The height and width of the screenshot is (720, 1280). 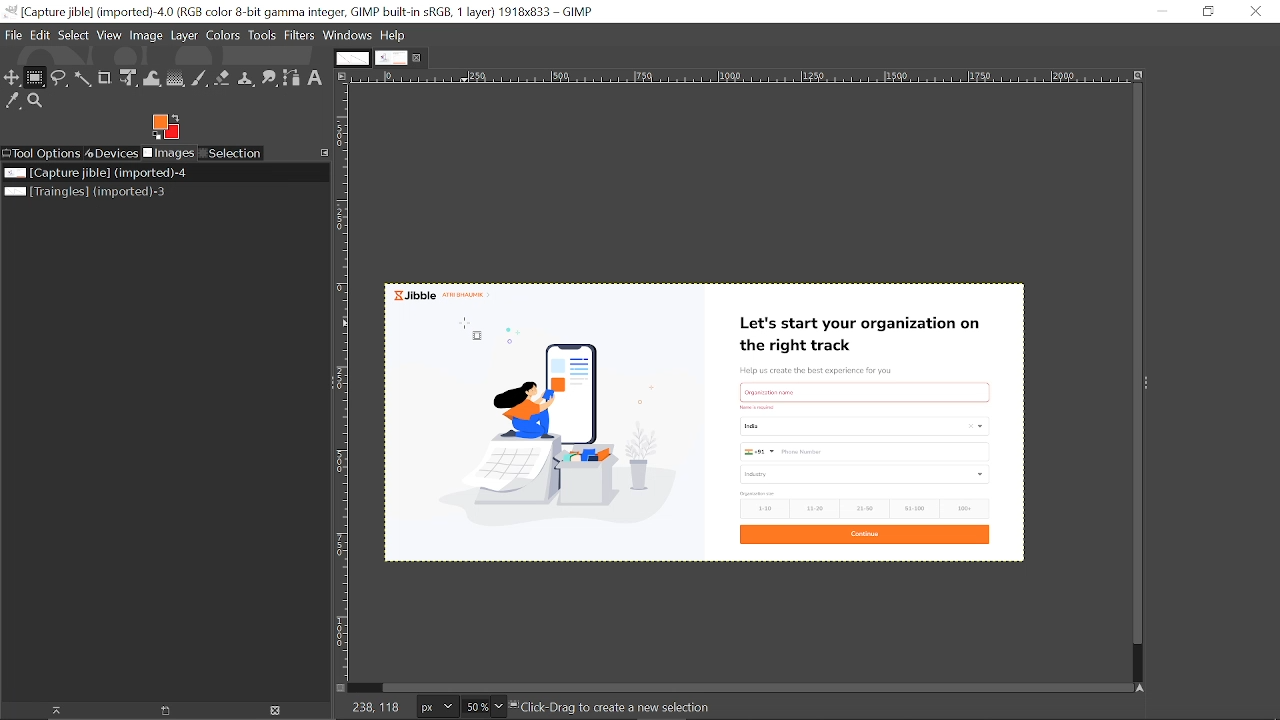 What do you see at coordinates (35, 103) in the screenshot?
I see `Zoom` at bounding box center [35, 103].